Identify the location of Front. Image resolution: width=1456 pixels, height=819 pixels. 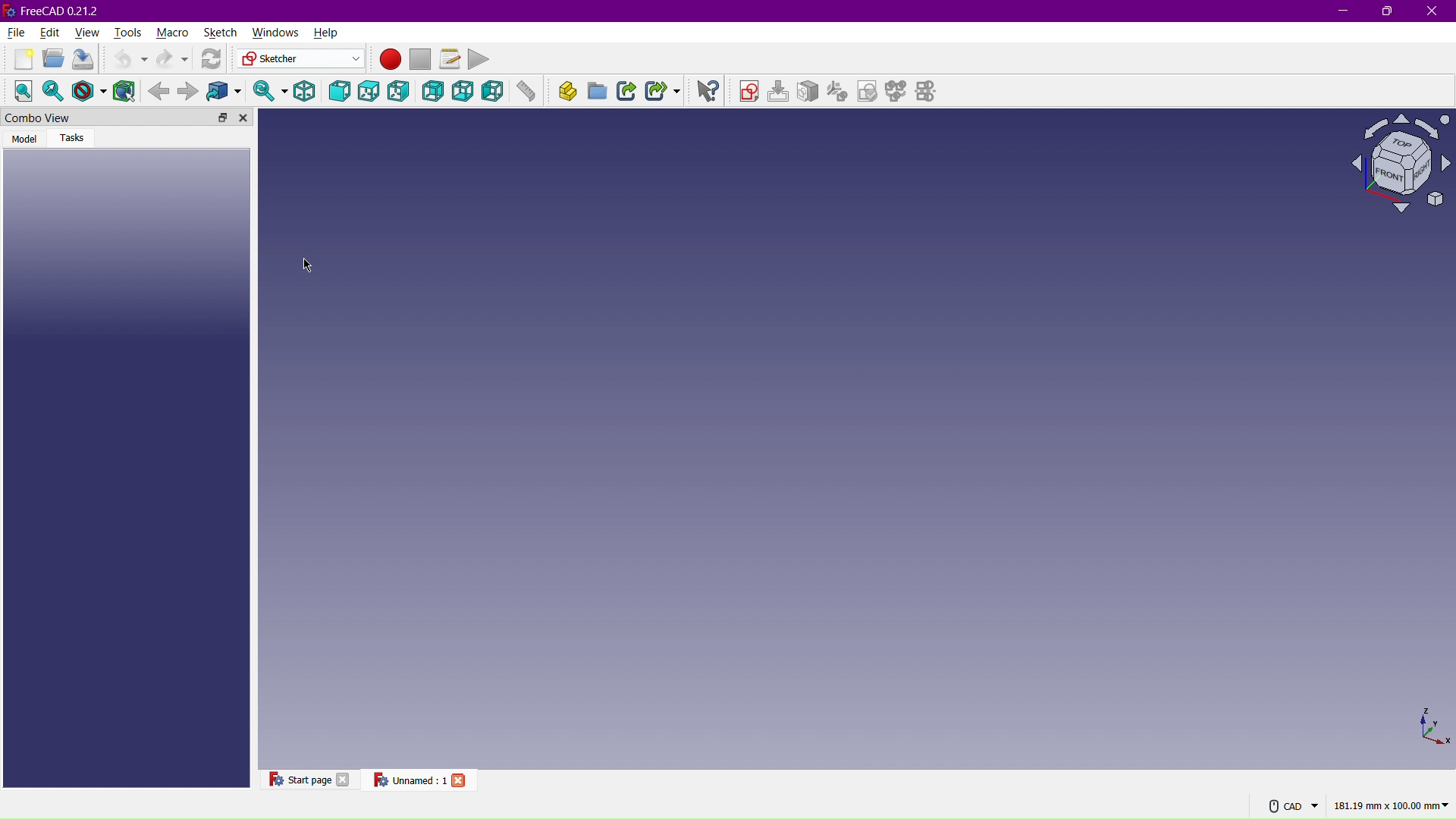
(340, 89).